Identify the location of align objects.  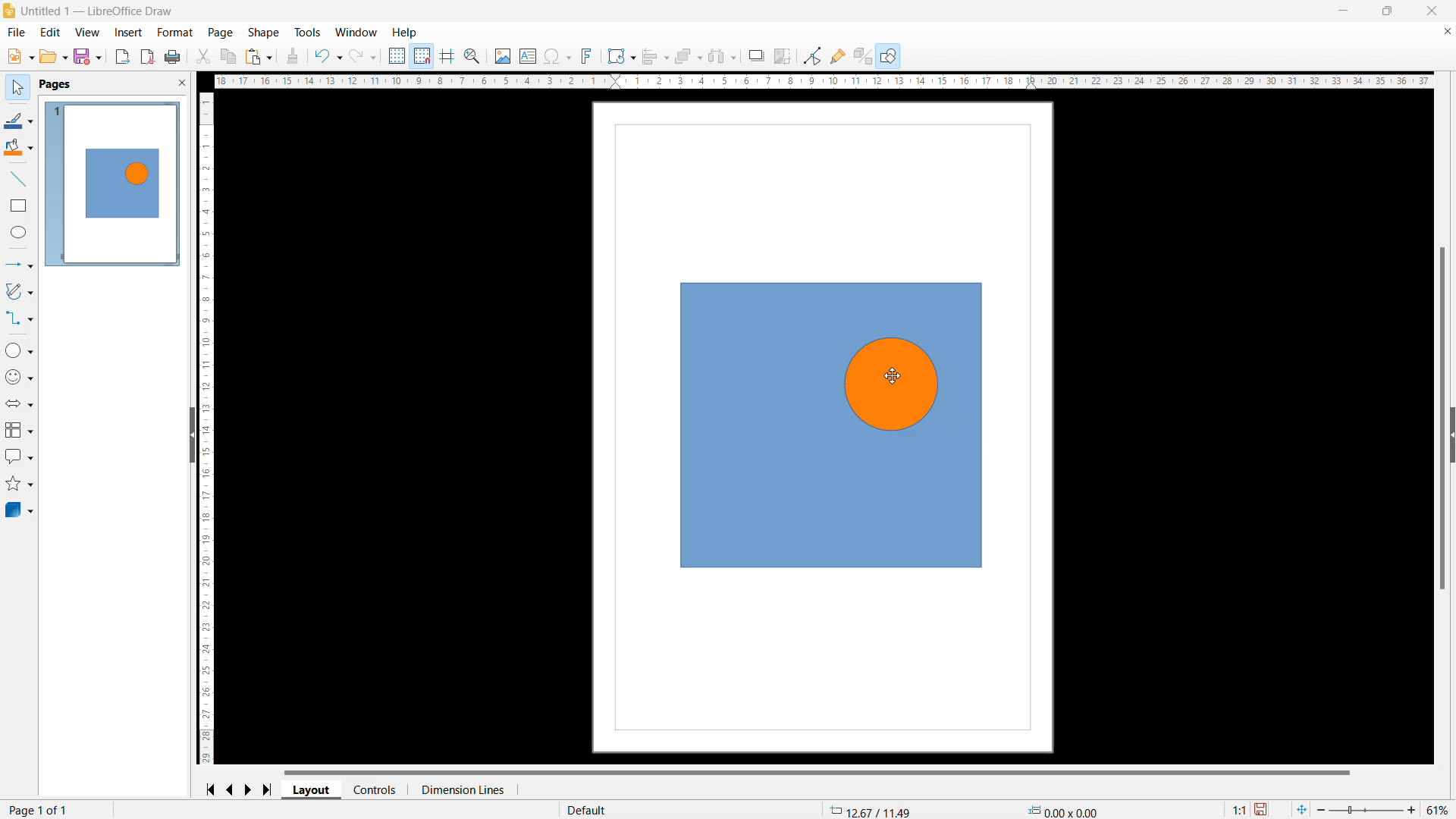
(654, 56).